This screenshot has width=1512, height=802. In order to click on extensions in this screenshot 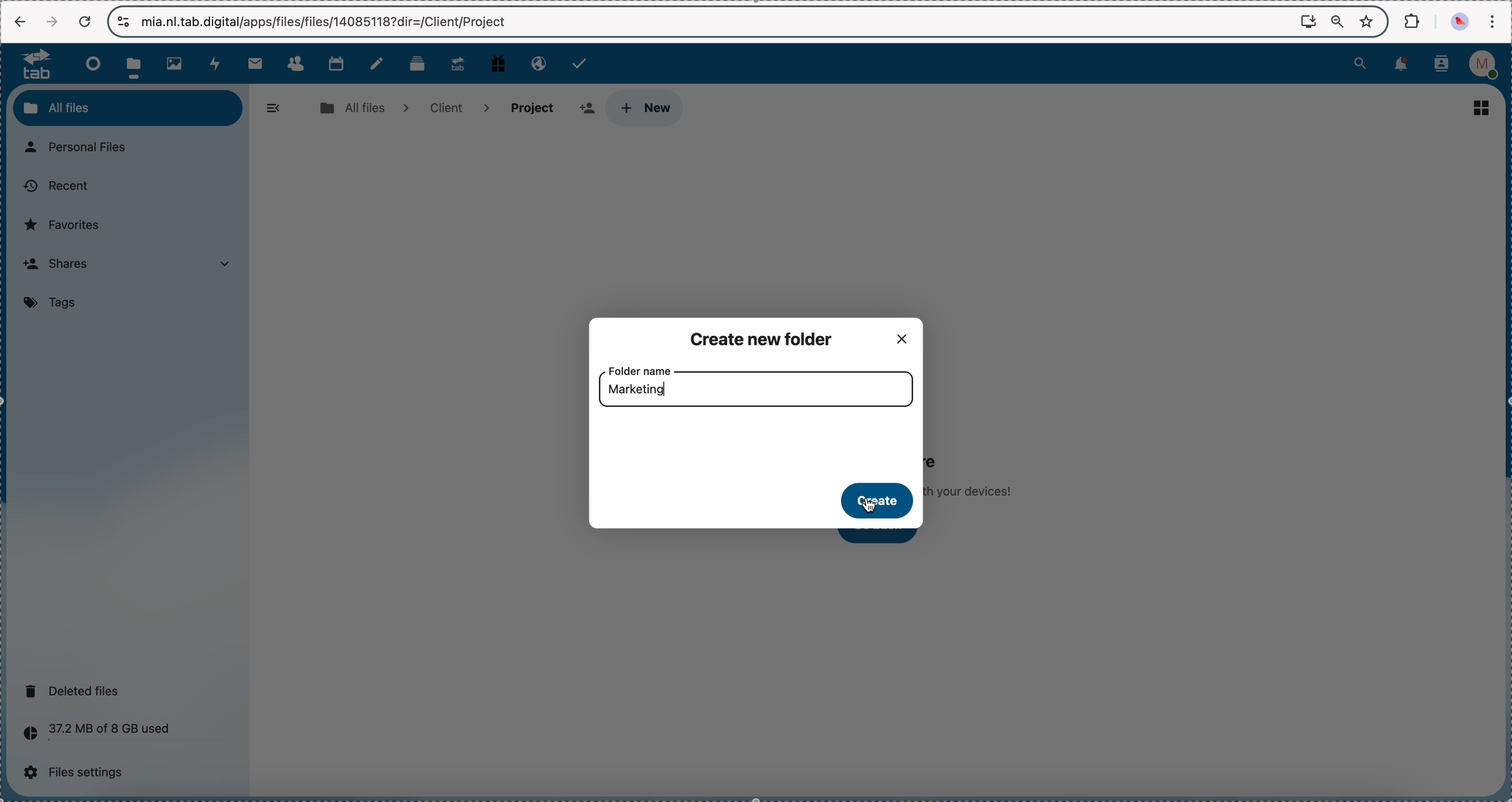, I will do `click(1413, 20)`.